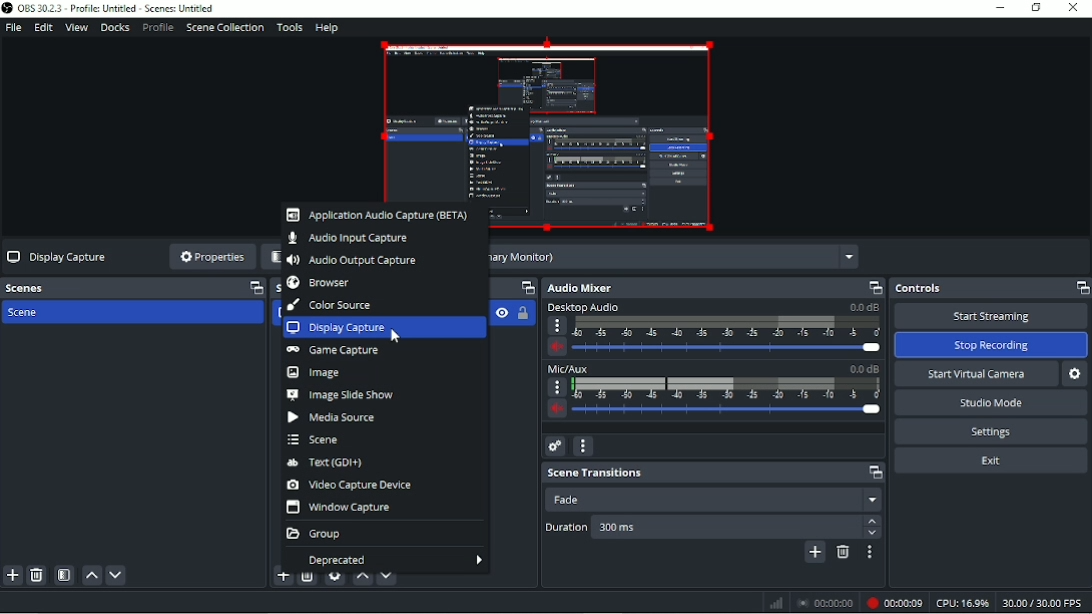  I want to click on Browser, so click(319, 283).